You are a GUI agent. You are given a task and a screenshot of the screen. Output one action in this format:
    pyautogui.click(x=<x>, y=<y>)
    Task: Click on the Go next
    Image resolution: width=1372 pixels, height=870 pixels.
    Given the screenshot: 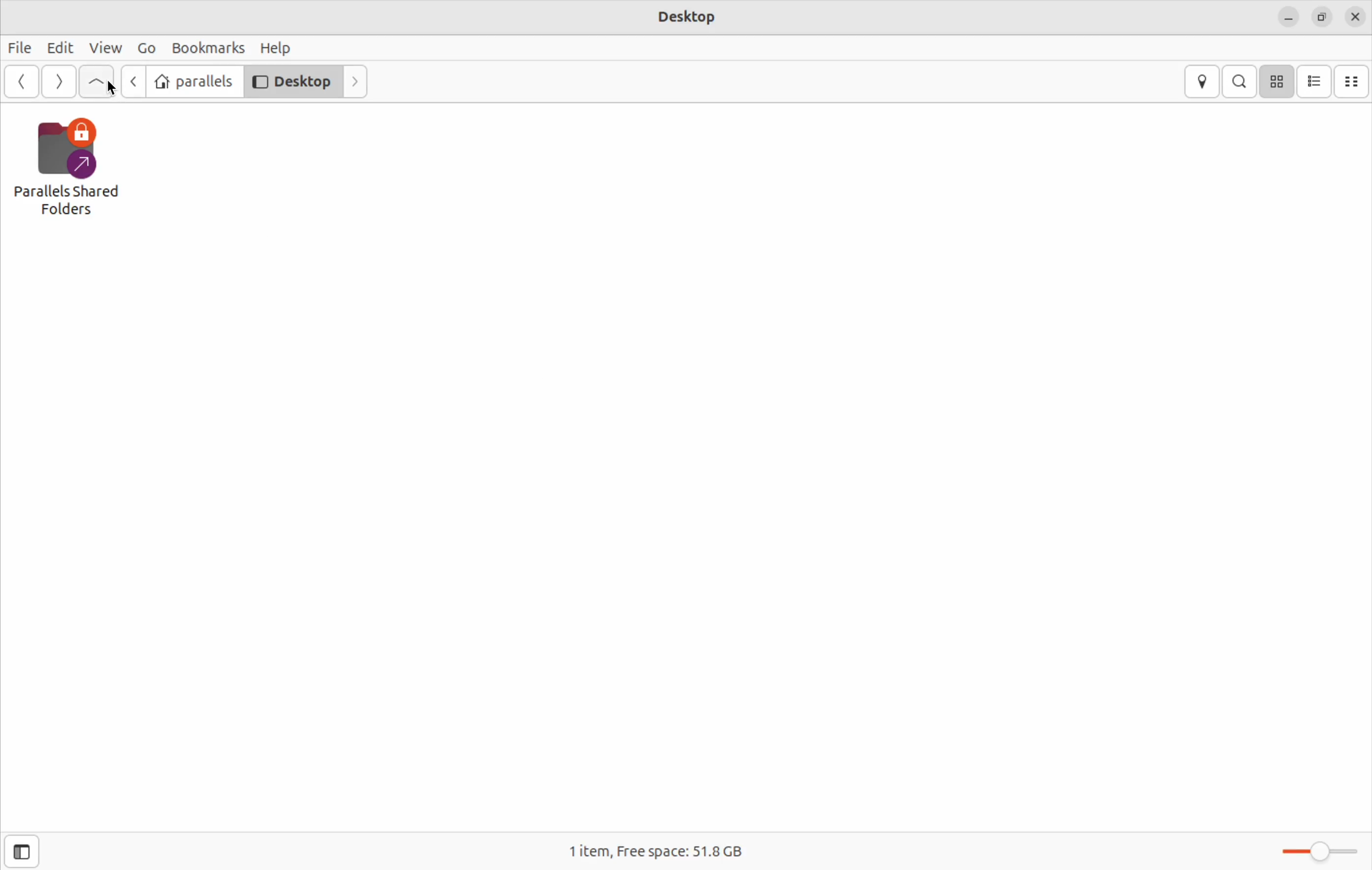 What is the action you would take?
    pyautogui.click(x=58, y=81)
    